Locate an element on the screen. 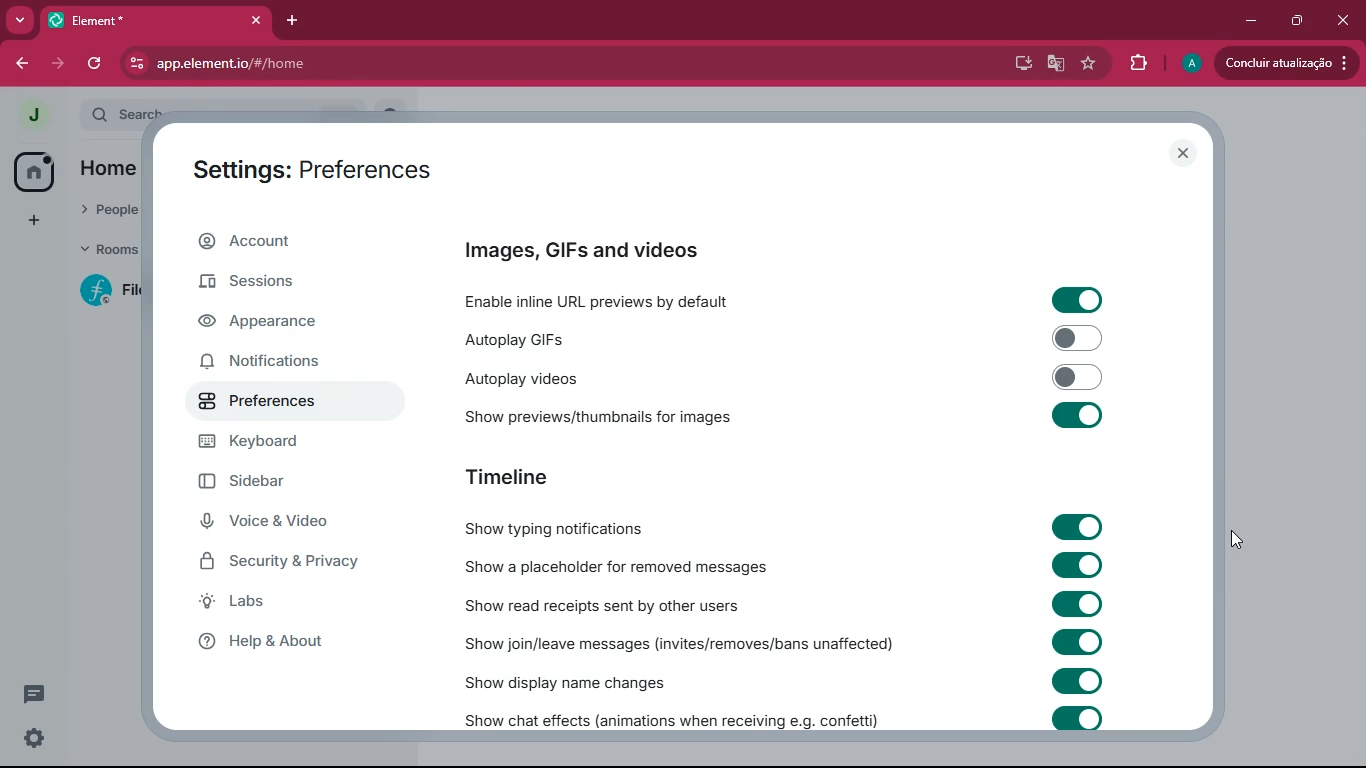 This screenshot has height=768, width=1366. toggle on/off is located at coordinates (1079, 680).